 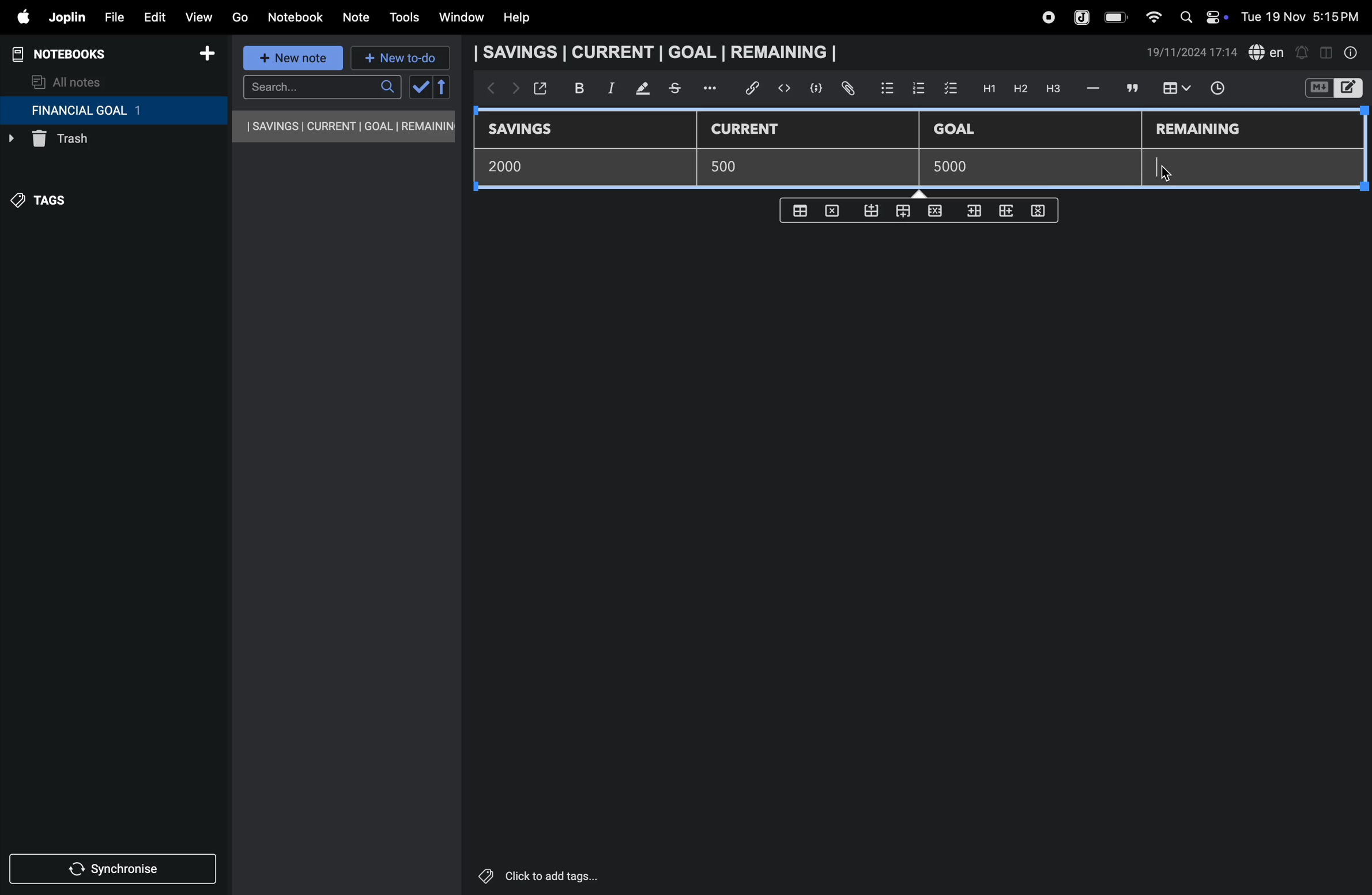 I want to click on wifi, so click(x=1150, y=17).